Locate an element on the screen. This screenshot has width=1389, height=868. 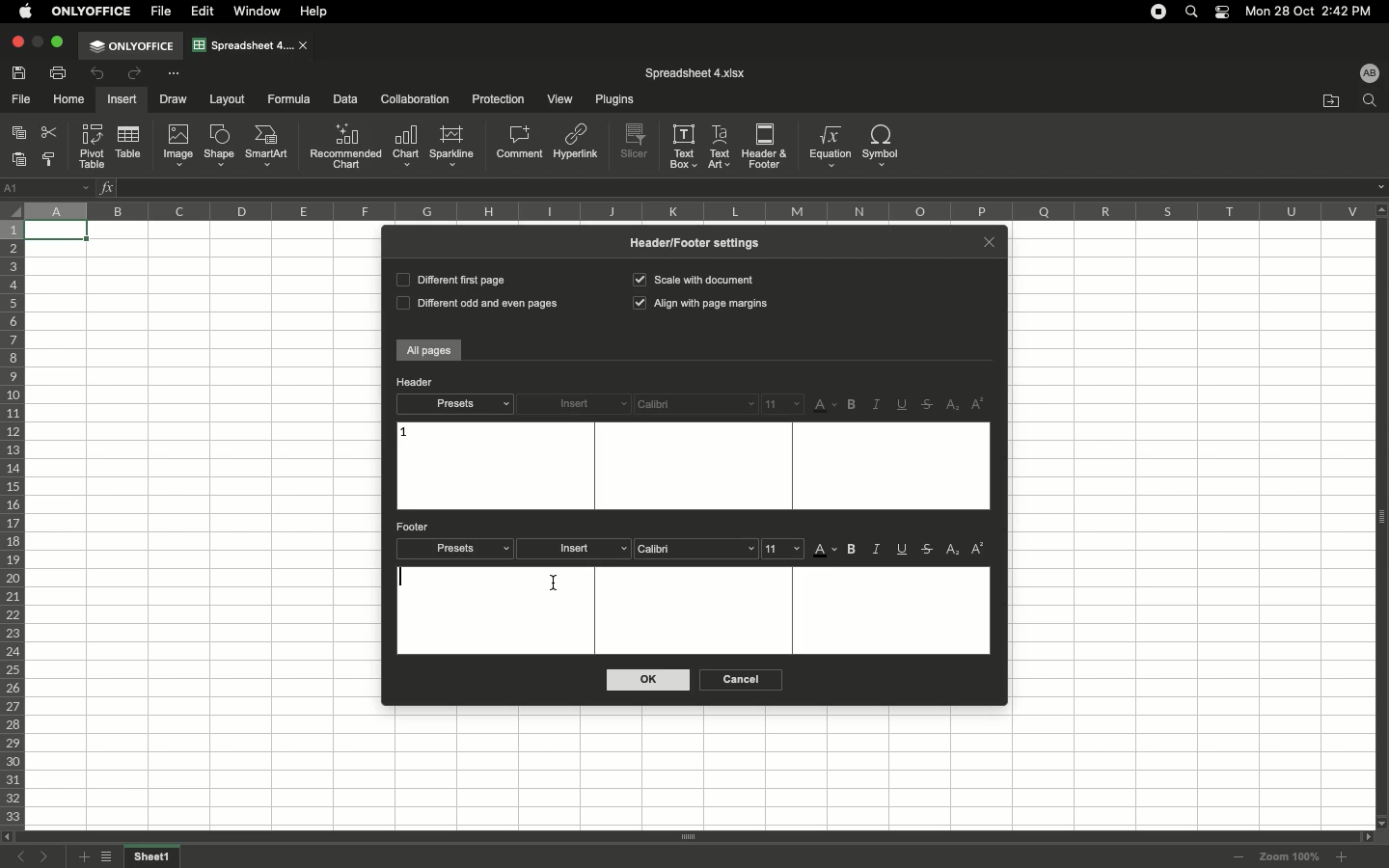
Zoom is located at coordinates (1290, 856).